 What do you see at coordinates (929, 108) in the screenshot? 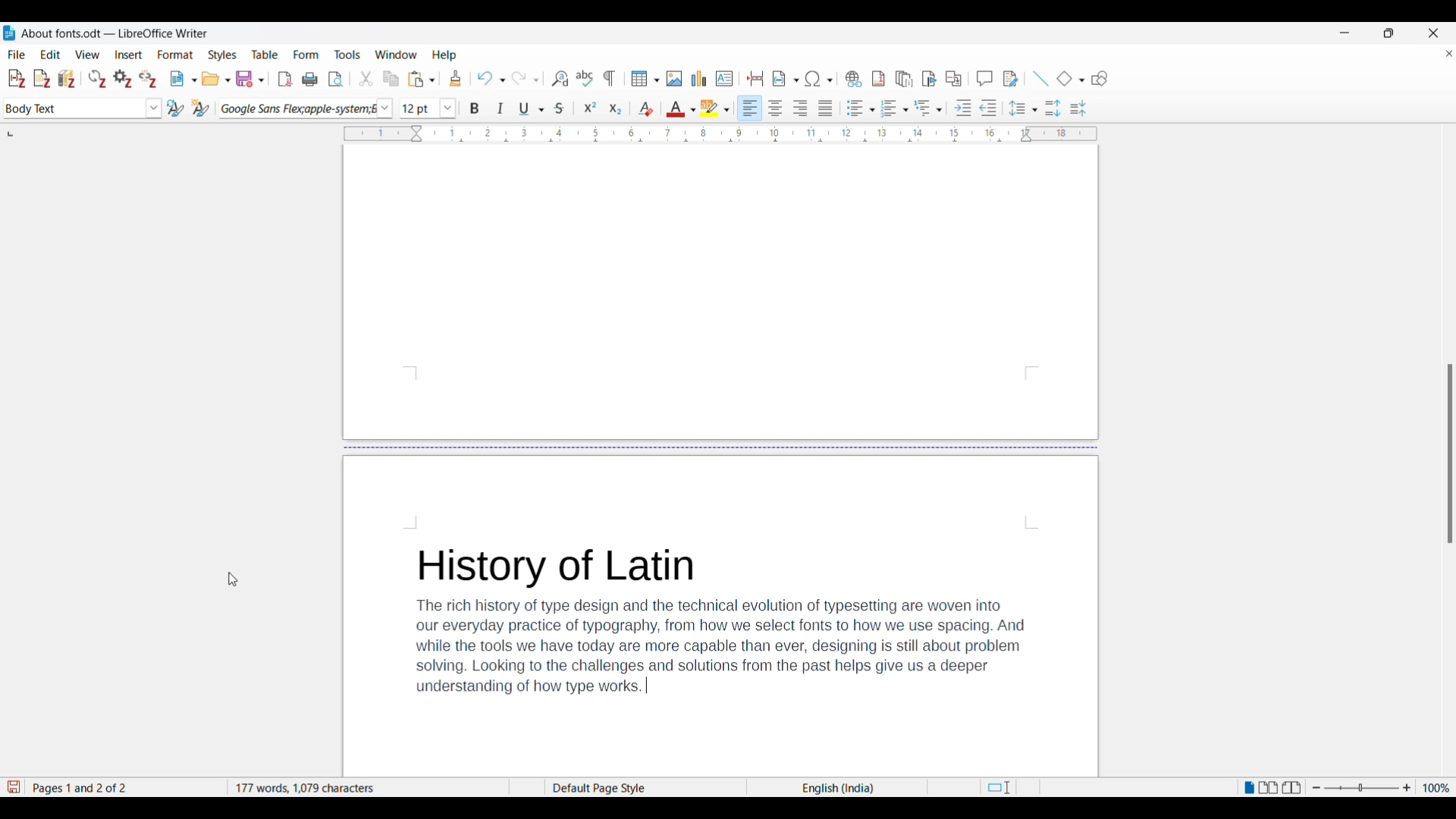
I see `Outline format options` at bounding box center [929, 108].